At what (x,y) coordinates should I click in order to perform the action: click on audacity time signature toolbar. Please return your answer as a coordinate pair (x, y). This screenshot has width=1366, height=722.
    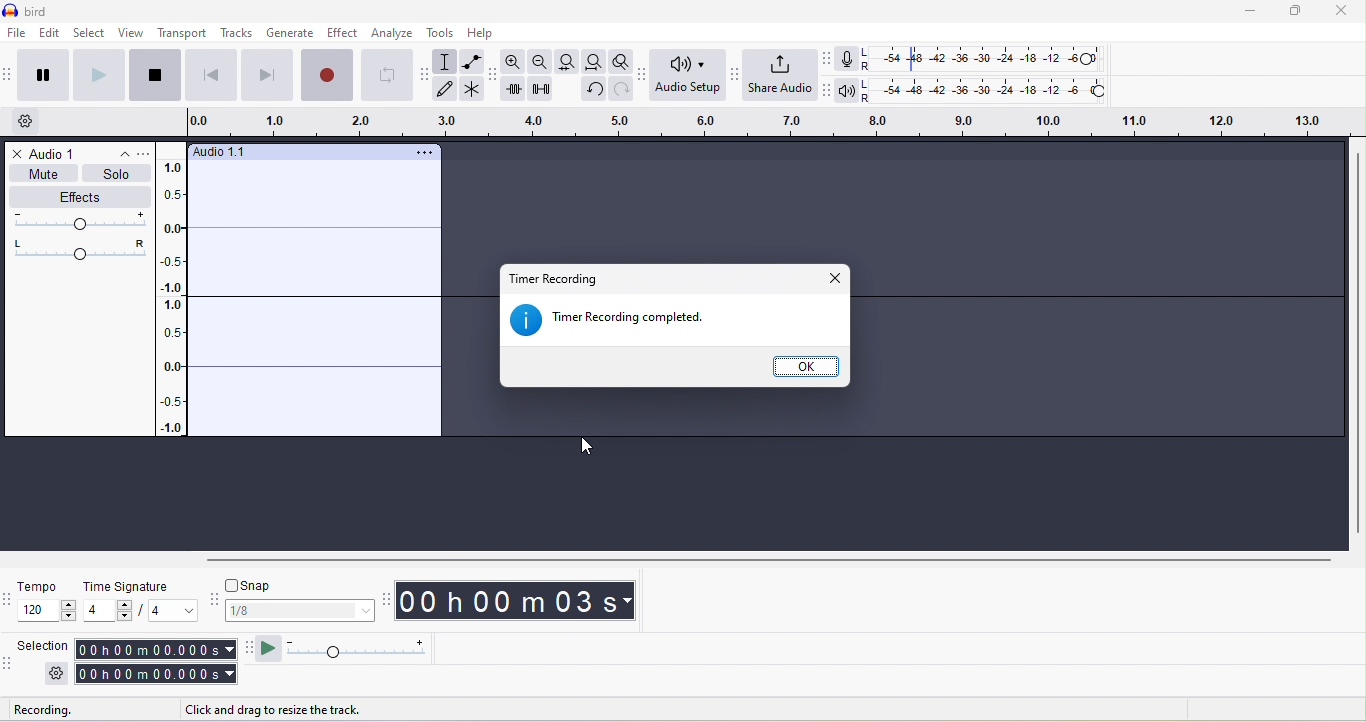
    Looking at the image, I should click on (9, 598).